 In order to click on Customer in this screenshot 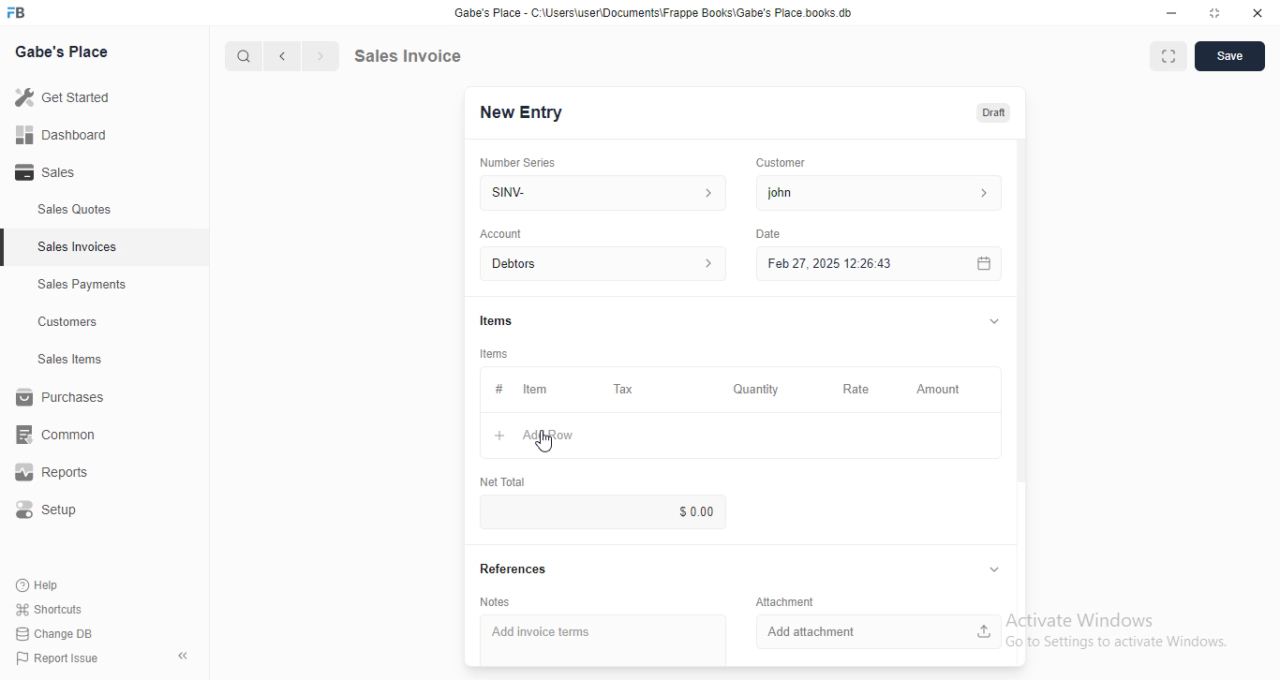, I will do `click(784, 163)`.